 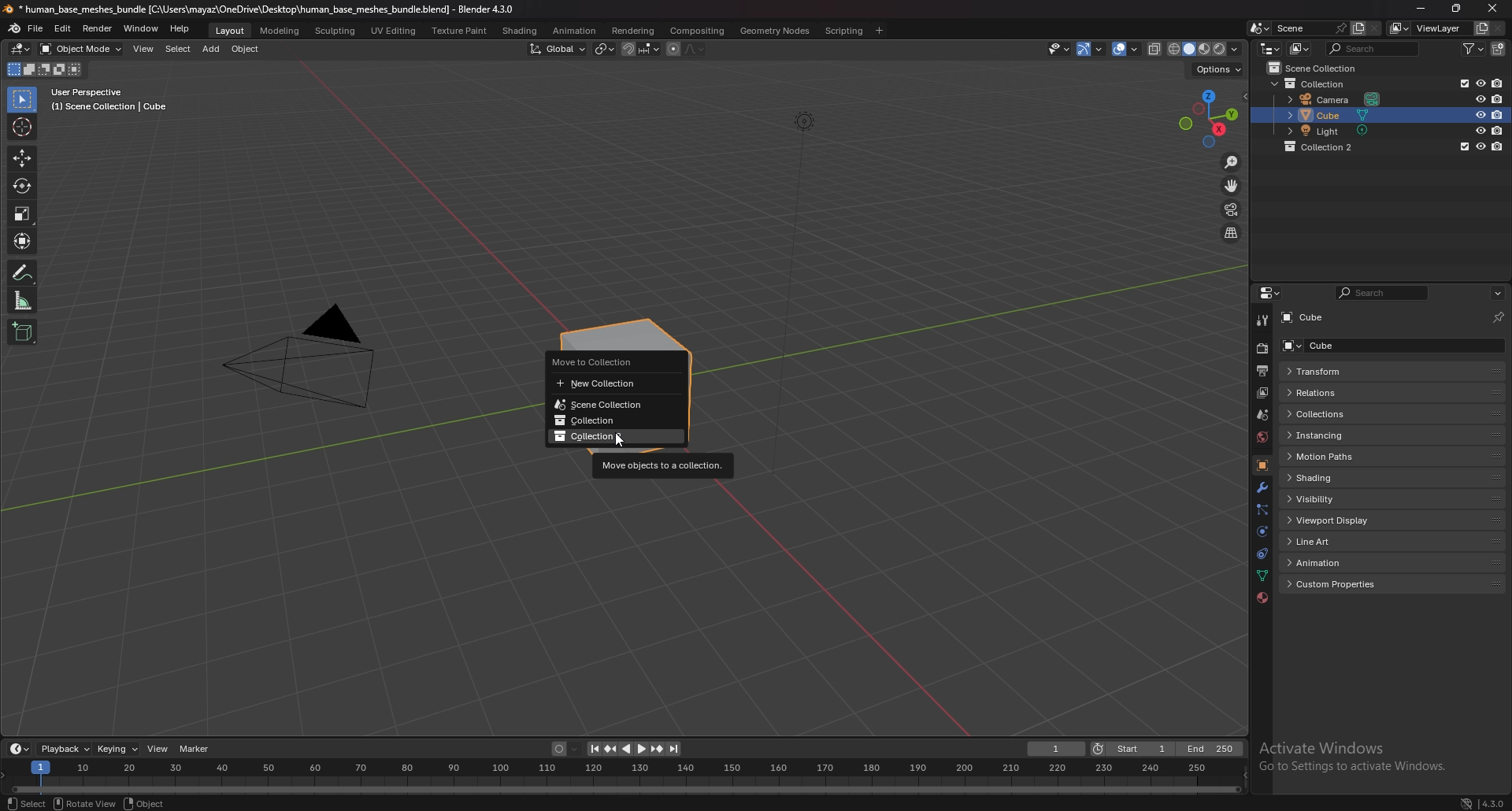 I want to click on search, so click(x=1375, y=48).